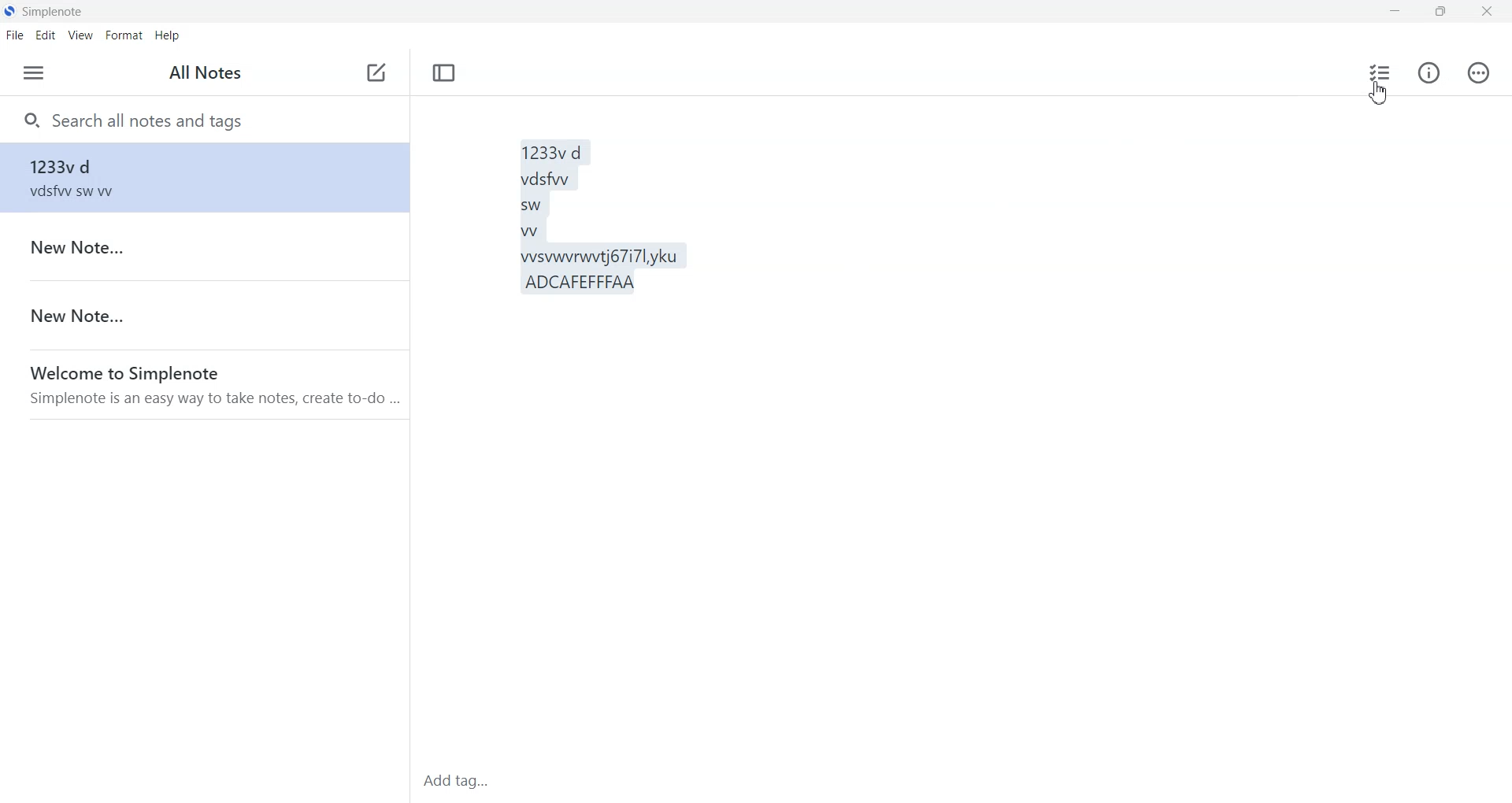 The width and height of the screenshot is (1512, 803). I want to click on Cursor, so click(1377, 95).